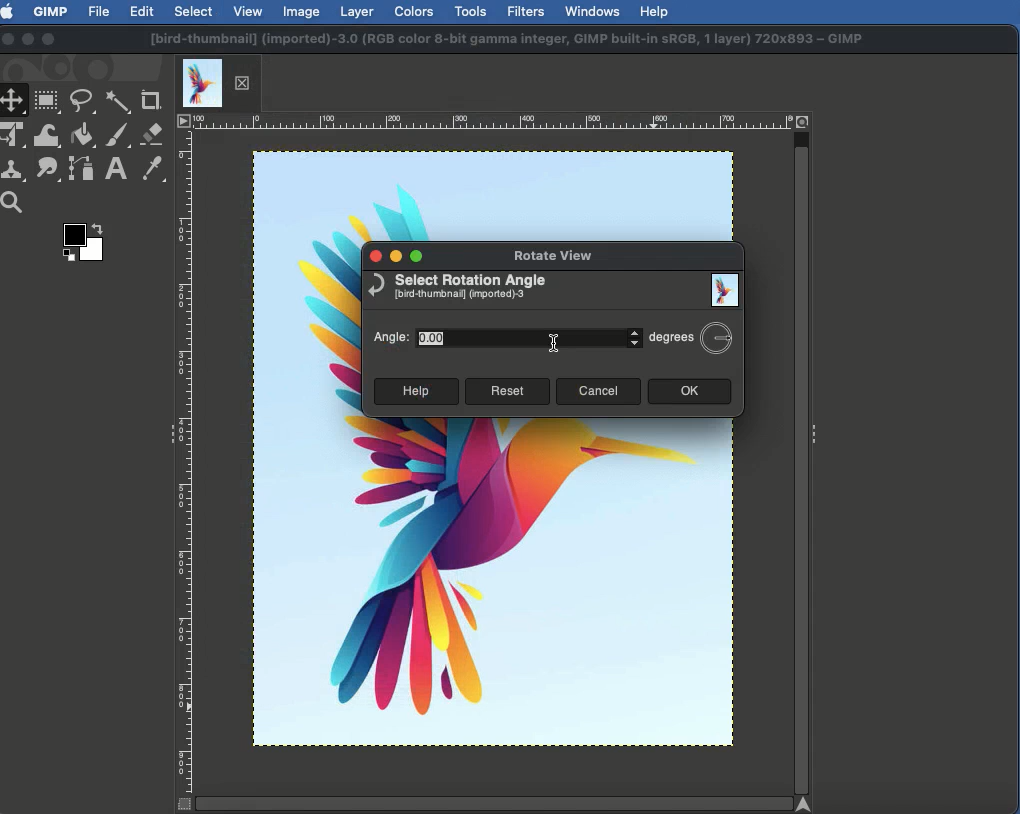 Image resolution: width=1020 pixels, height=814 pixels. Describe the element at coordinates (395, 257) in the screenshot. I see `Minimize` at that location.